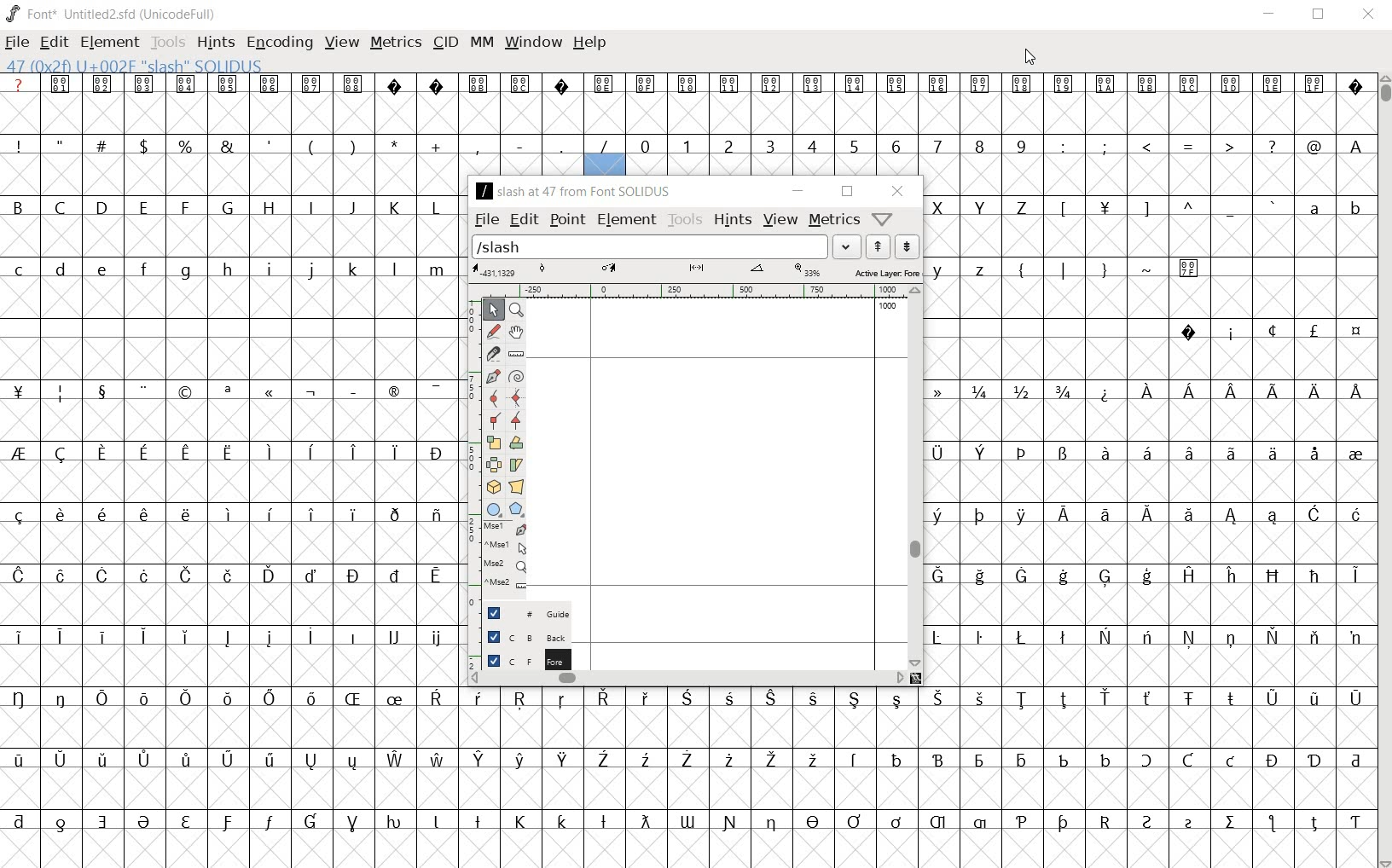 This screenshot has width=1392, height=868. Describe the element at coordinates (686, 680) in the screenshot. I see `scrollbar` at that location.